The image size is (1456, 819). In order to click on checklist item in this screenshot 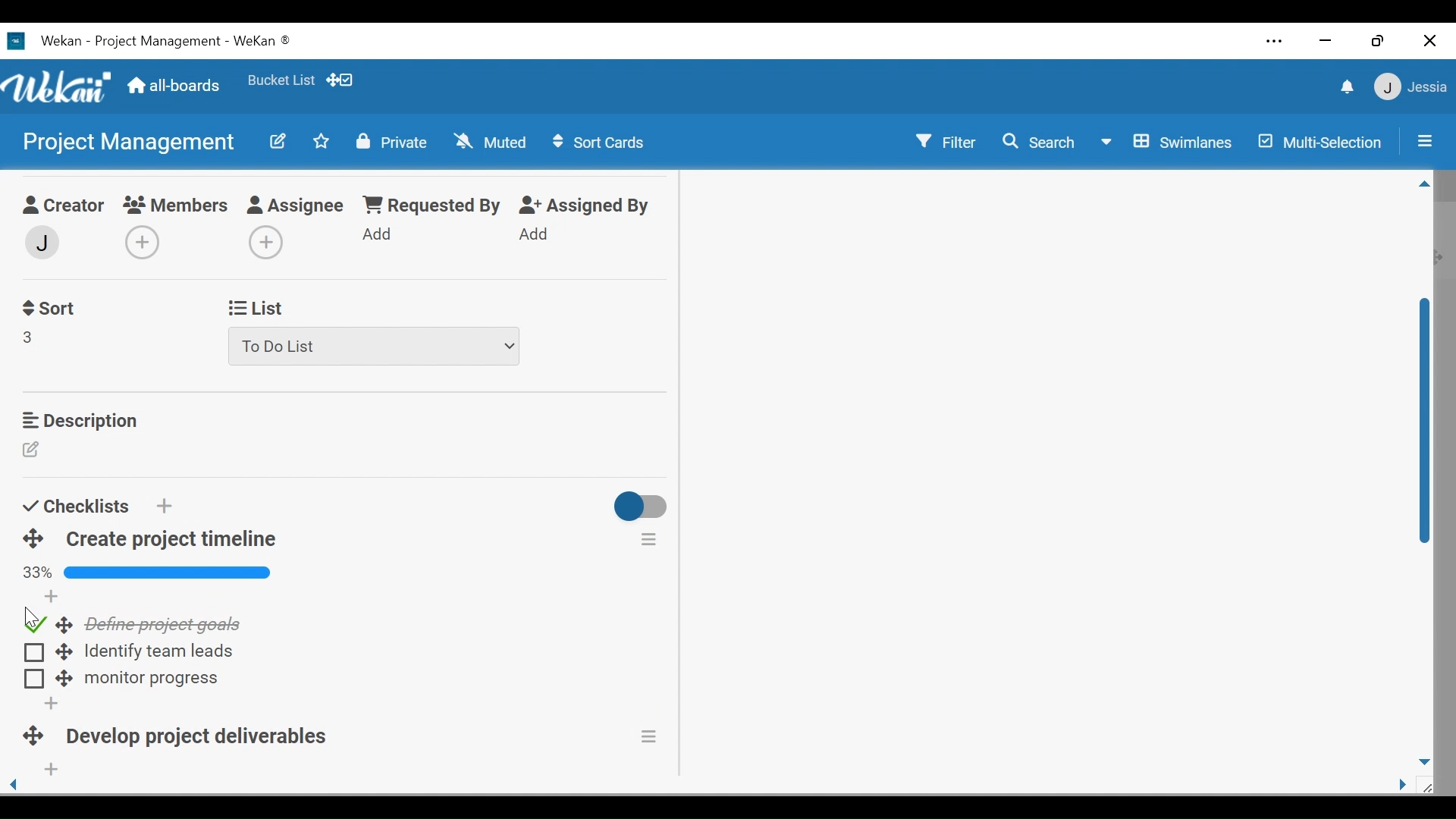, I will do `click(162, 654)`.